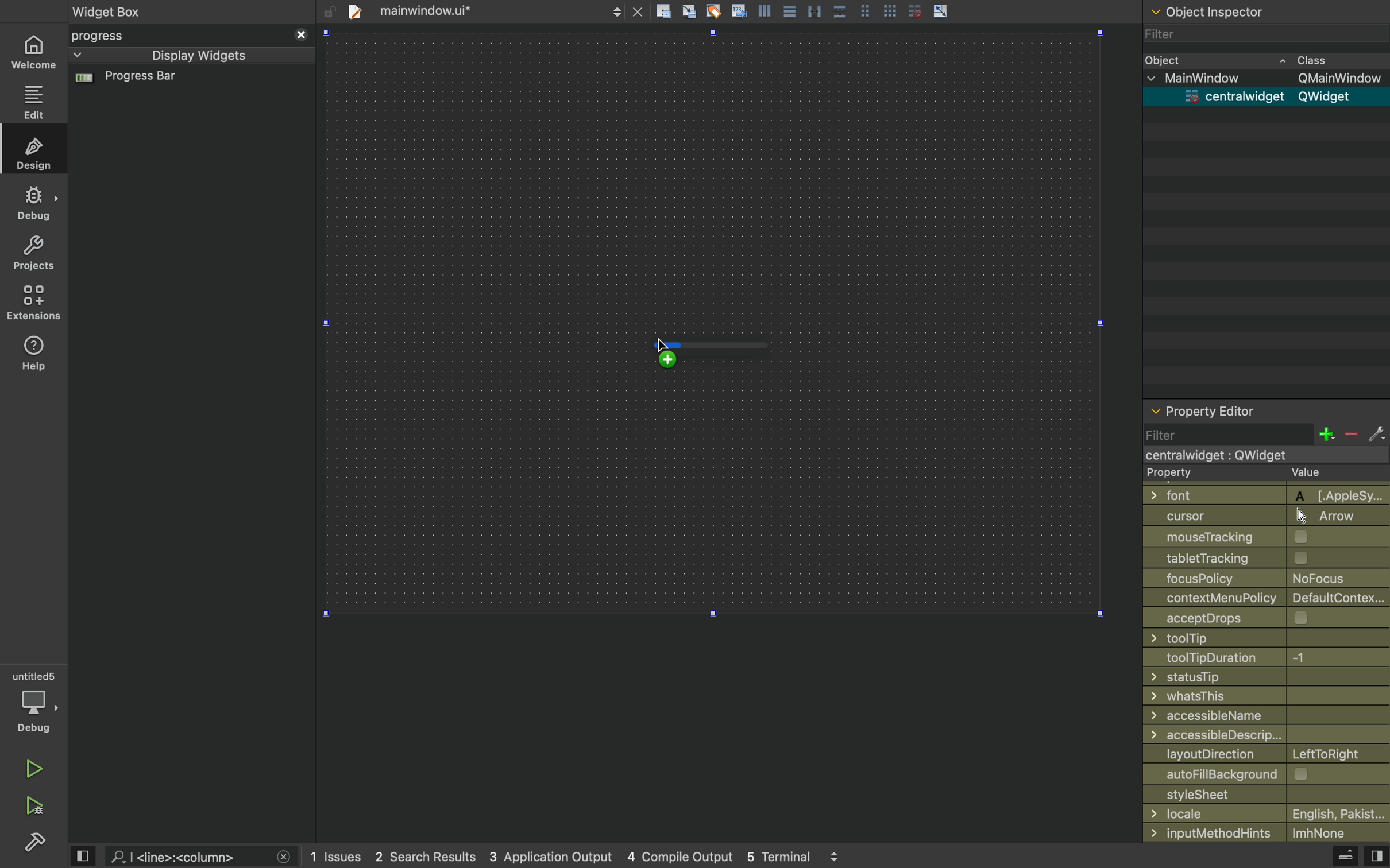 This screenshot has width=1390, height=868. Describe the element at coordinates (1267, 557) in the screenshot. I see `tabletracking` at that location.